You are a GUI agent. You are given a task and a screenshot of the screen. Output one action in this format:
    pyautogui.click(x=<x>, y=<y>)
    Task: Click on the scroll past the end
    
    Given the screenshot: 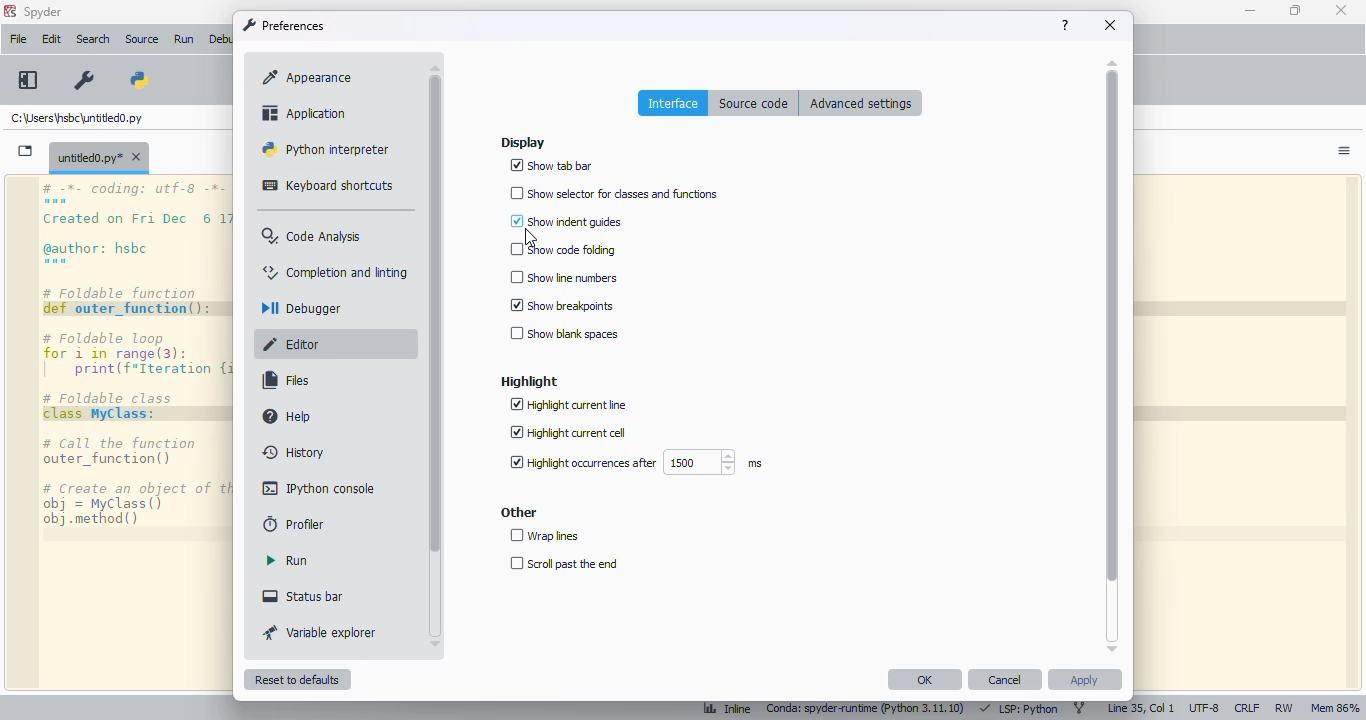 What is the action you would take?
    pyautogui.click(x=563, y=564)
    